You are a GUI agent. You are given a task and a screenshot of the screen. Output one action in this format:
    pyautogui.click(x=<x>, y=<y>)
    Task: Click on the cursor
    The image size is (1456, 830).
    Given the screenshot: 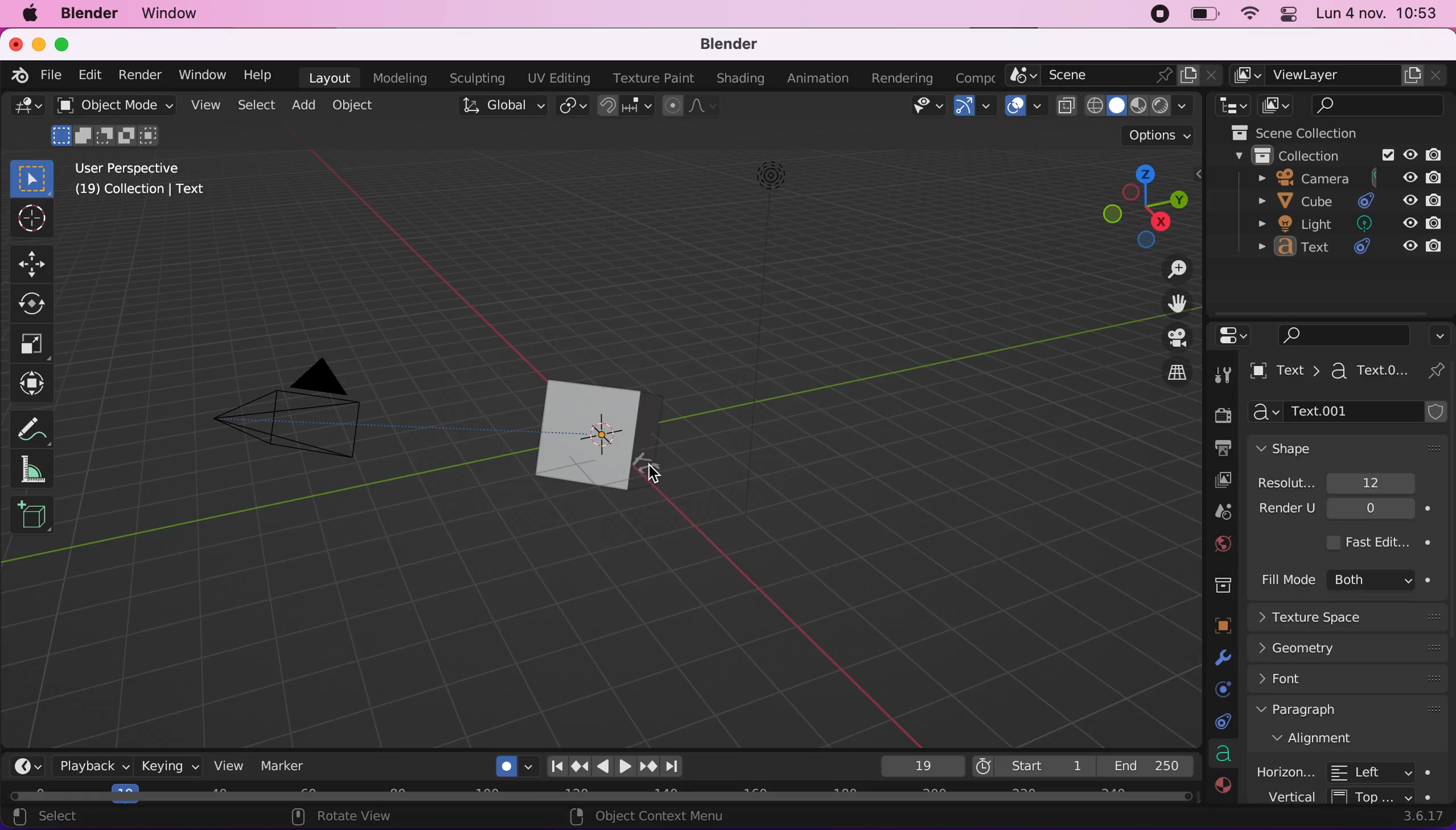 What is the action you would take?
    pyautogui.click(x=658, y=475)
    